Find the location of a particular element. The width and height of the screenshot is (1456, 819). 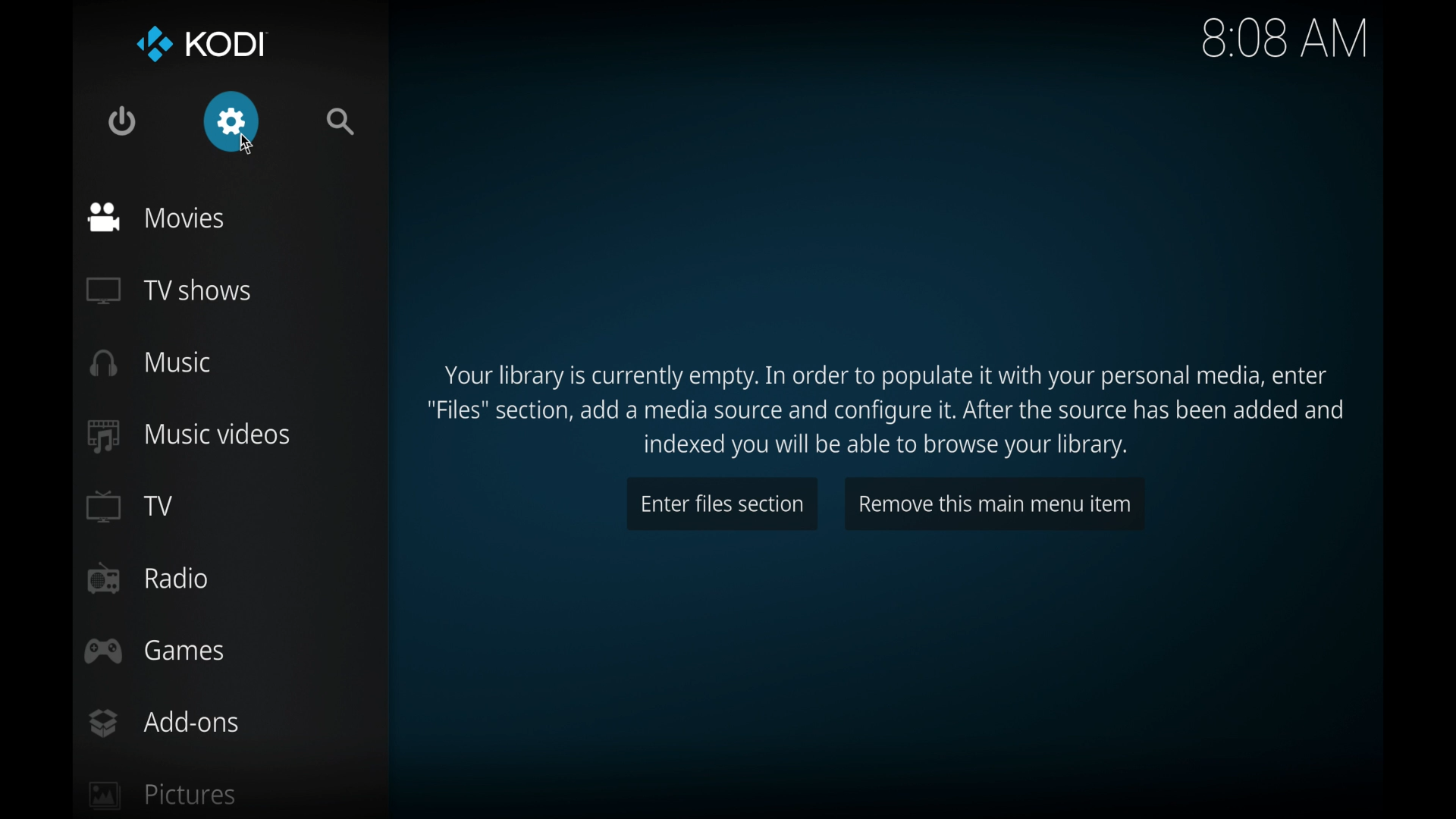

search is located at coordinates (342, 122).